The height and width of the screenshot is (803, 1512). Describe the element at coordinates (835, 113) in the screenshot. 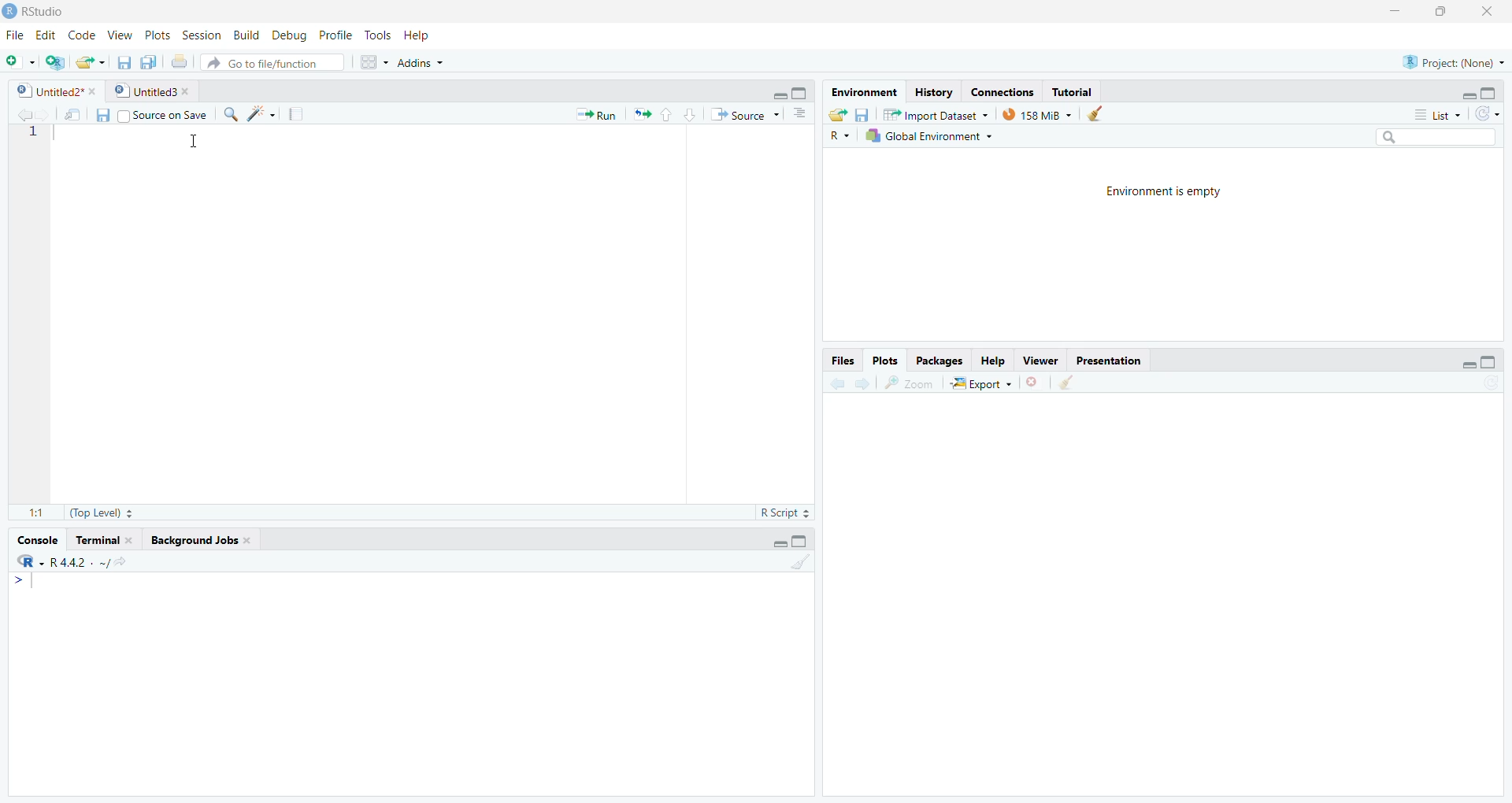

I see `` at that location.